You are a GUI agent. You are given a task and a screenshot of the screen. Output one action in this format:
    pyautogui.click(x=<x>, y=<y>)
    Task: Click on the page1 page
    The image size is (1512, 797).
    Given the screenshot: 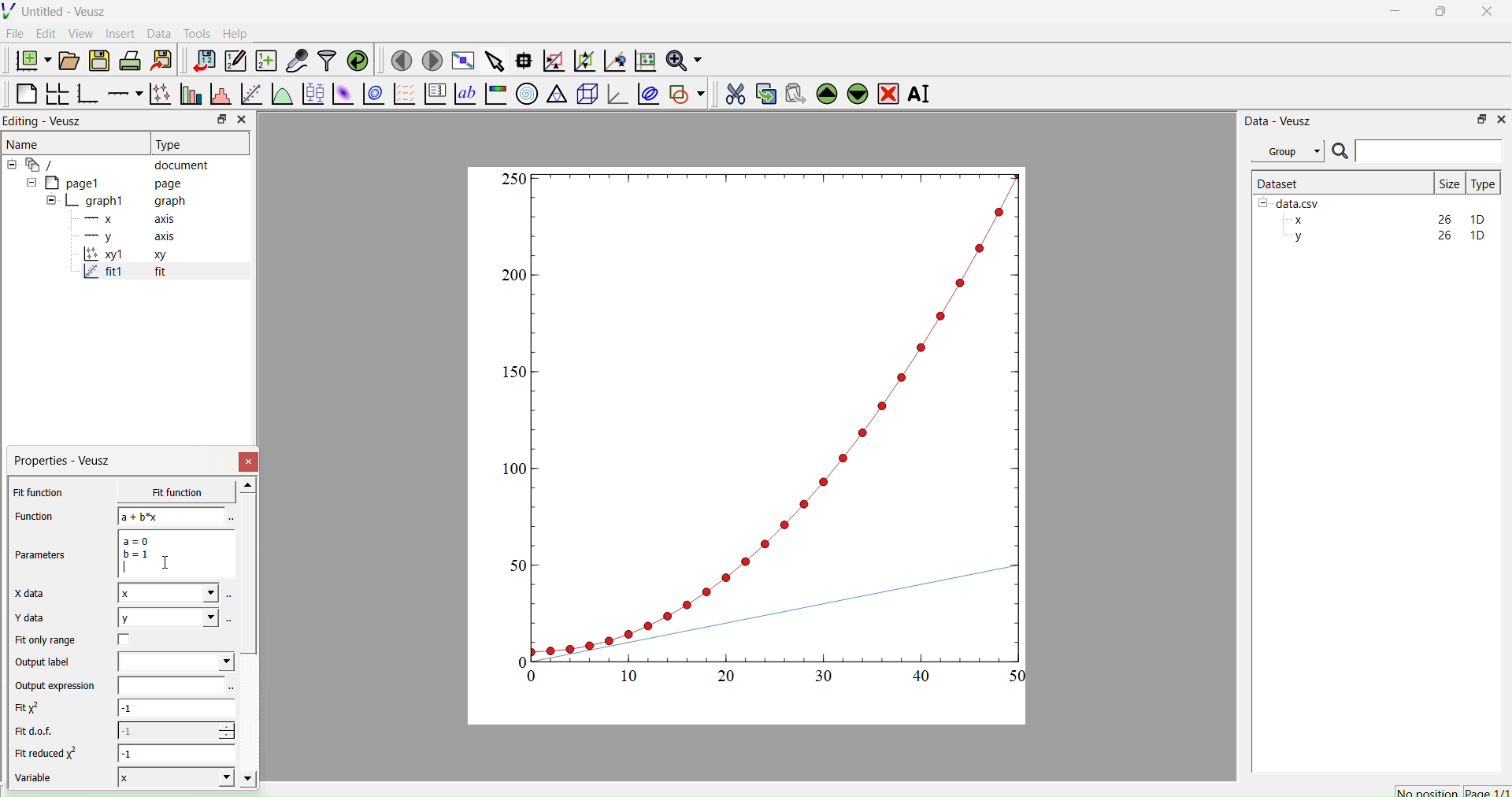 What is the action you would take?
    pyautogui.click(x=105, y=182)
    